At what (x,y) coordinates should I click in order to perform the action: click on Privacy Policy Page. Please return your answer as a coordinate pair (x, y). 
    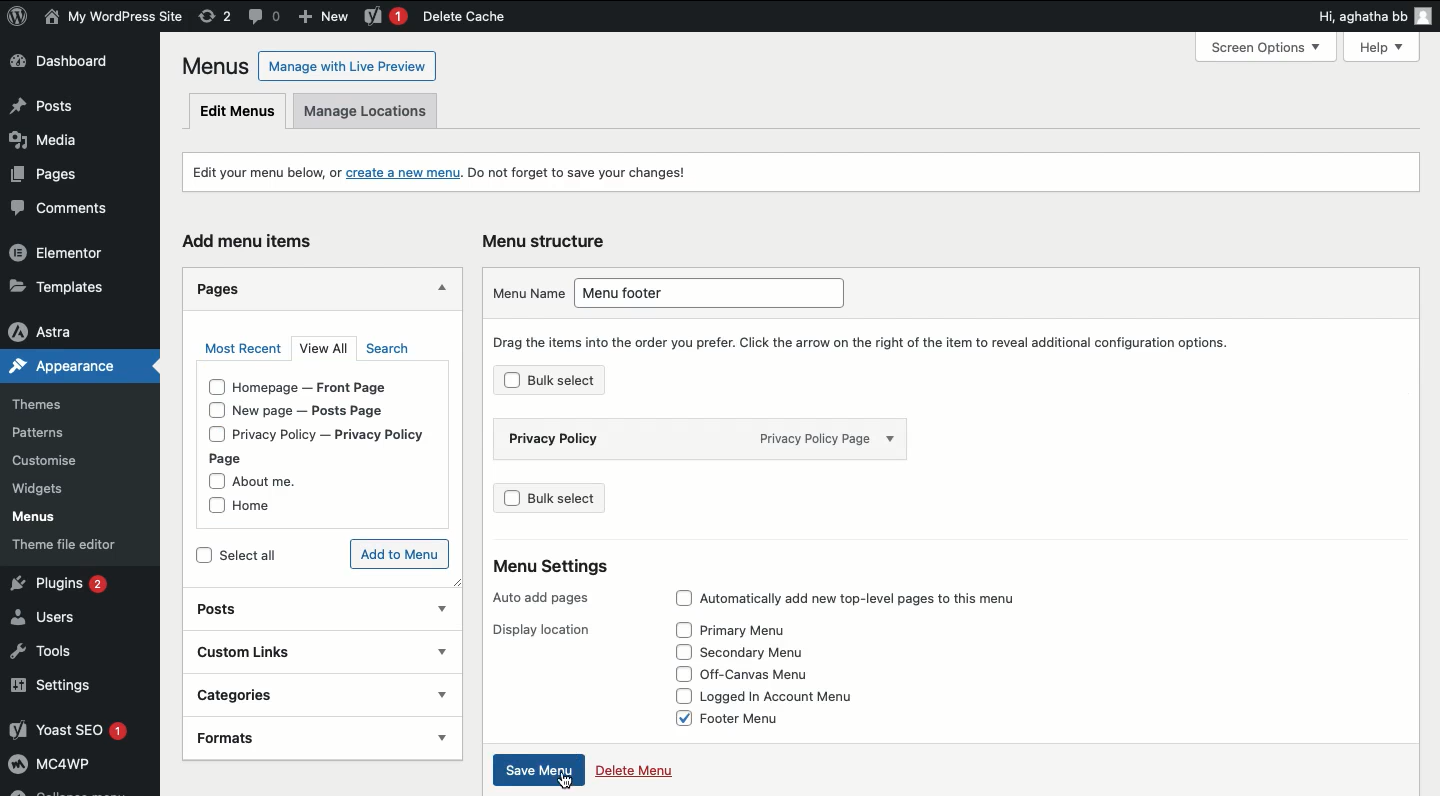
    Looking at the image, I should click on (846, 437).